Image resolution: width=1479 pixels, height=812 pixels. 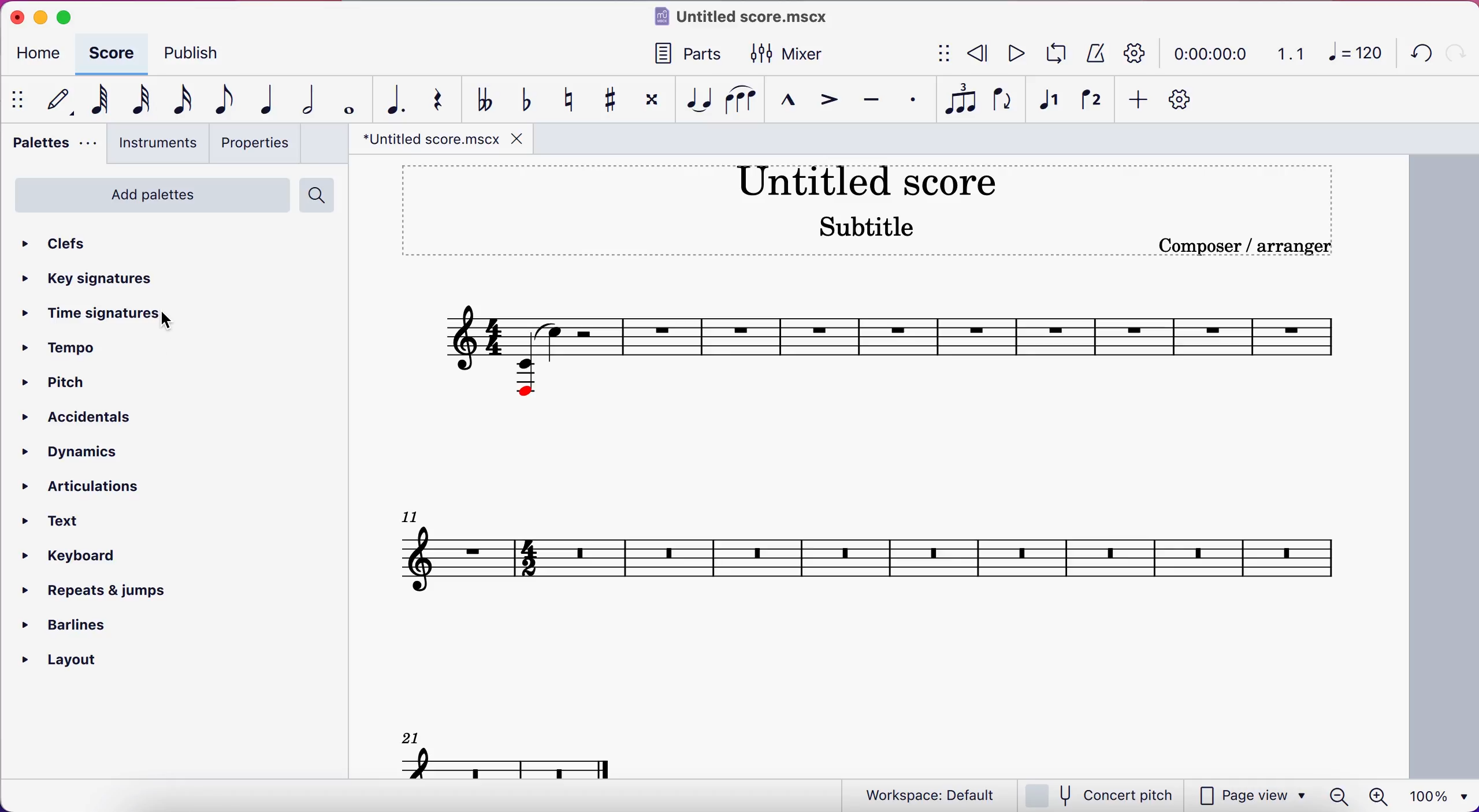 I want to click on playback loop, so click(x=1058, y=51).